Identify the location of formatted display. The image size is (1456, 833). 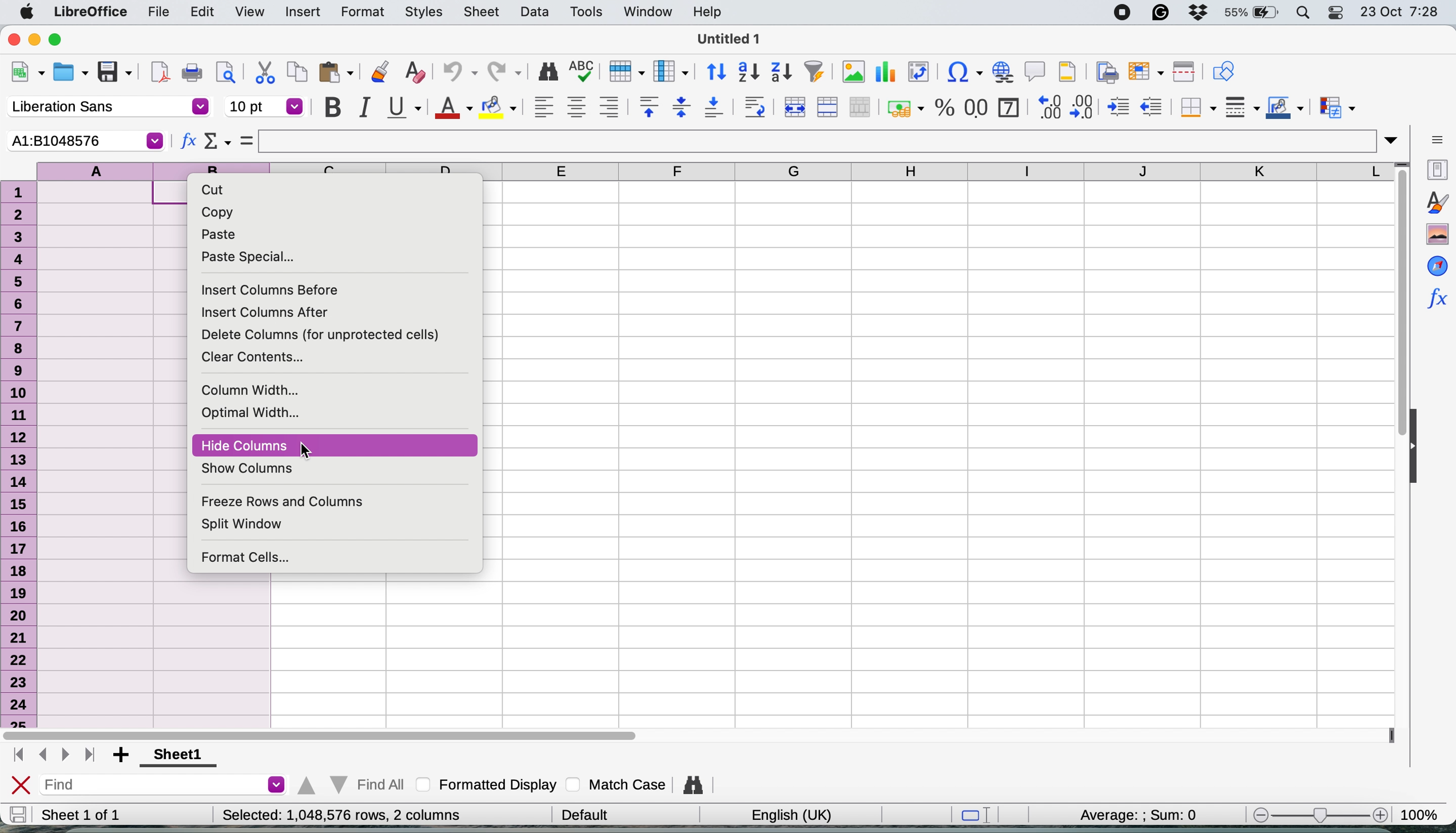
(485, 786).